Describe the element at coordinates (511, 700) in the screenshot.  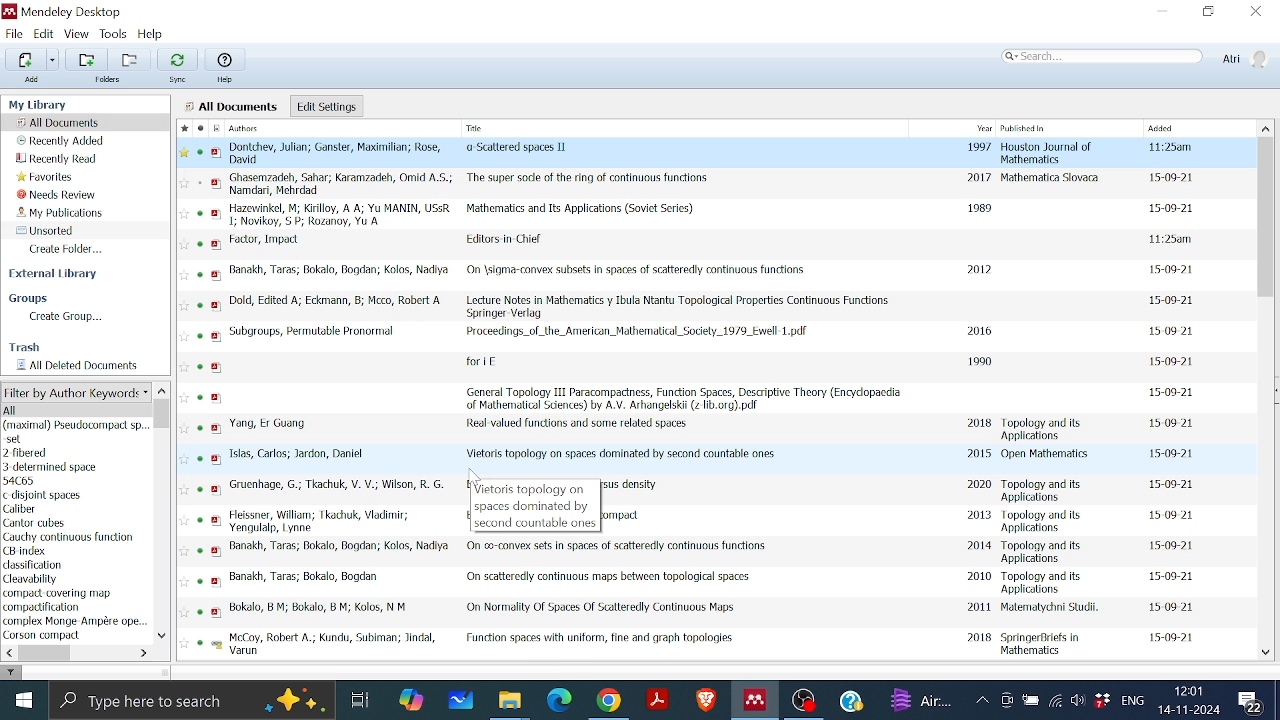
I see `Files` at that location.